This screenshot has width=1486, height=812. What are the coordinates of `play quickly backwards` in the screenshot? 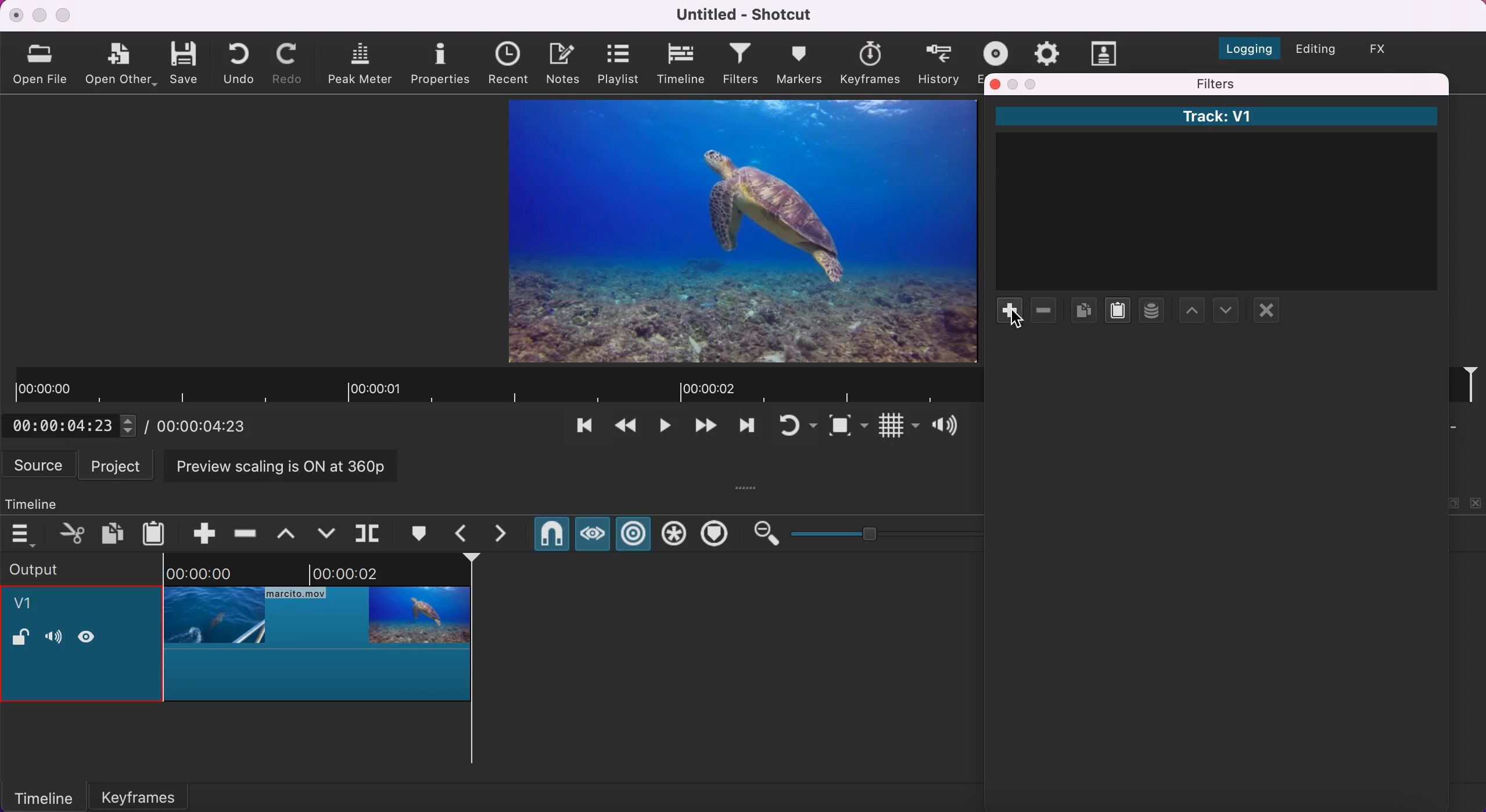 It's located at (624, 429).